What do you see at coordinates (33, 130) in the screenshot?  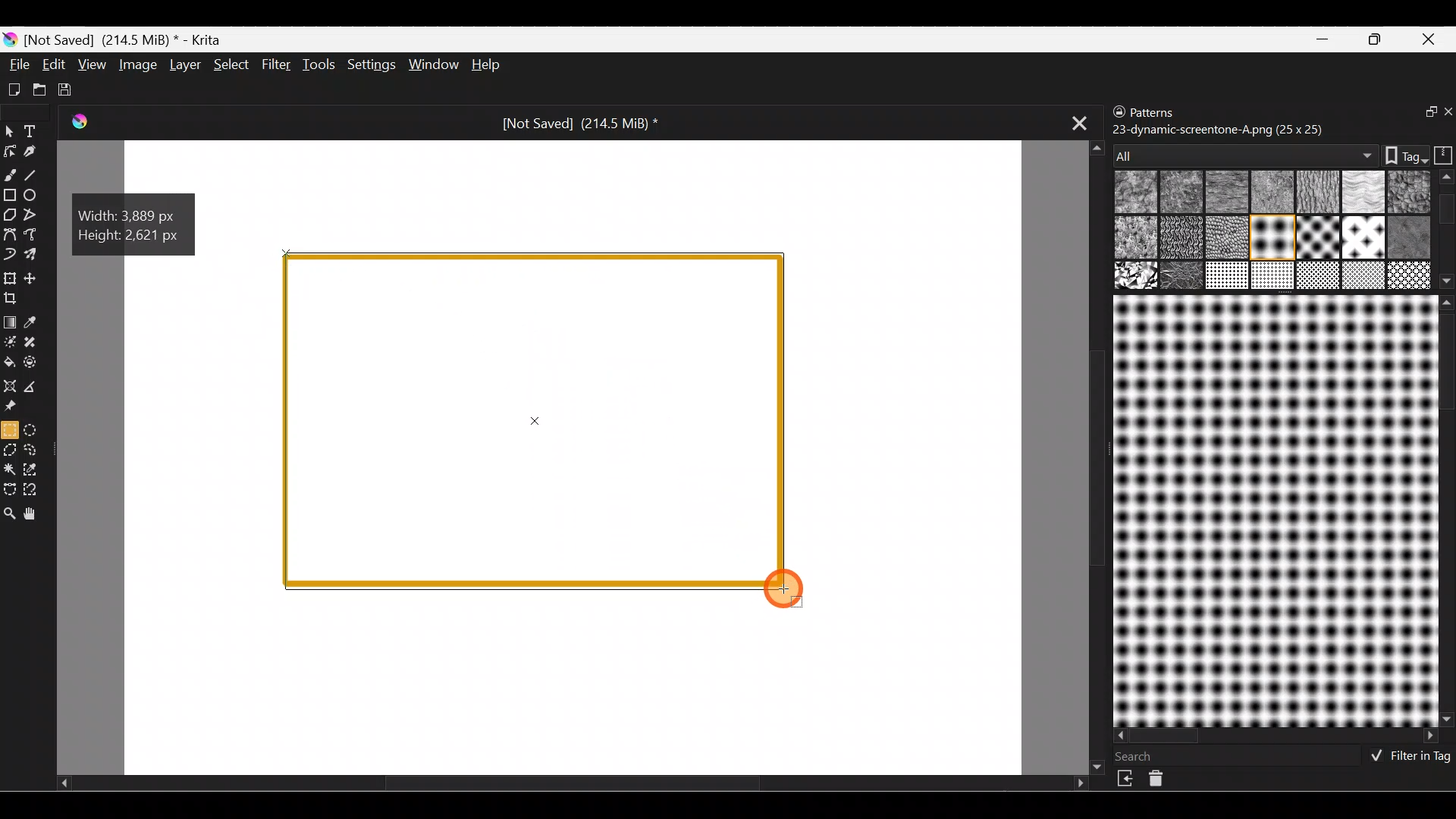 I see `Text tool` at bounding box center [33, 130].